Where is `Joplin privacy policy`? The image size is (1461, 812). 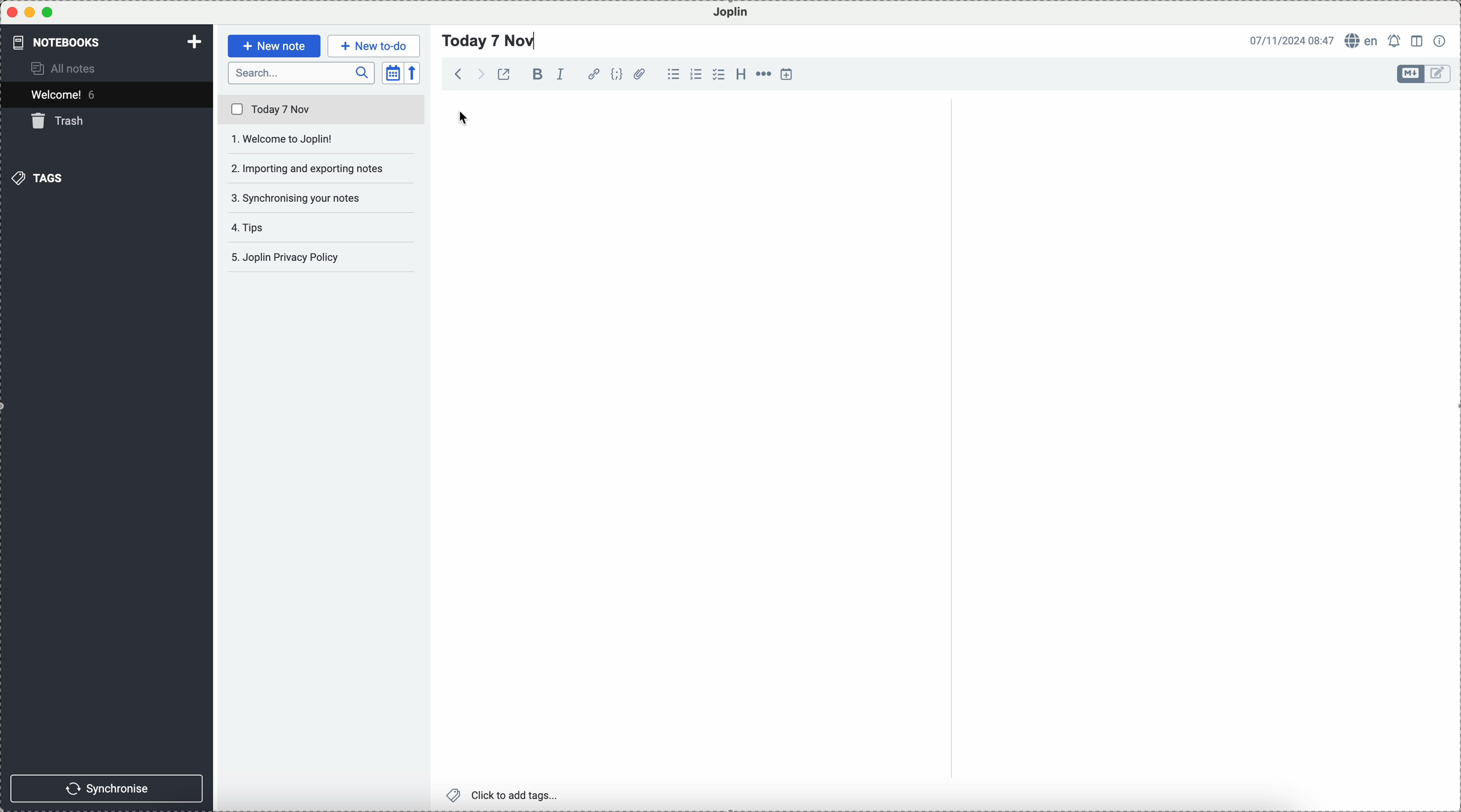 Joplin privacy policy is located at coordinates (316, 257).